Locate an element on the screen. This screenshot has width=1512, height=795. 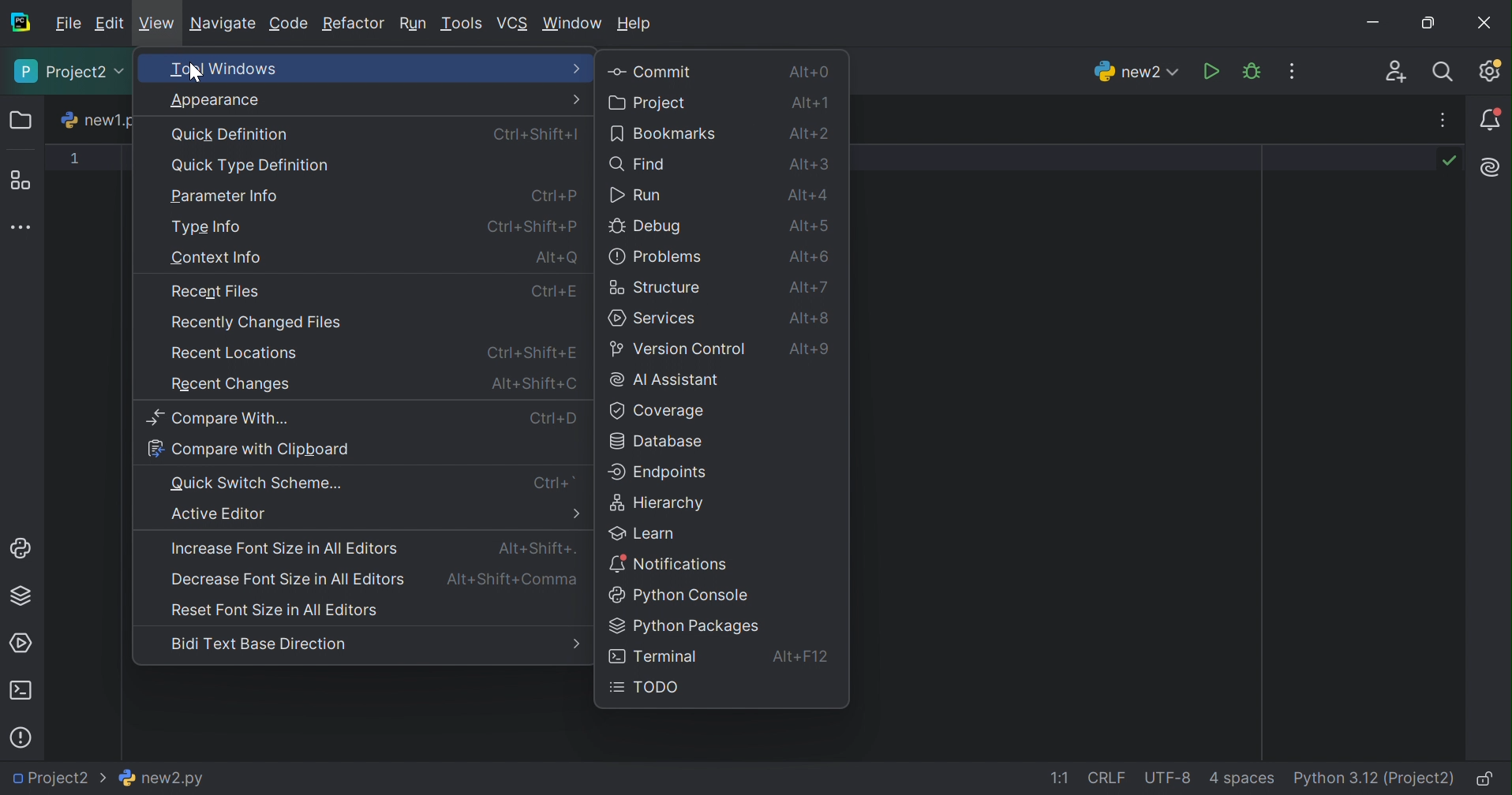
Coverage is located at coordinates (654, 410).